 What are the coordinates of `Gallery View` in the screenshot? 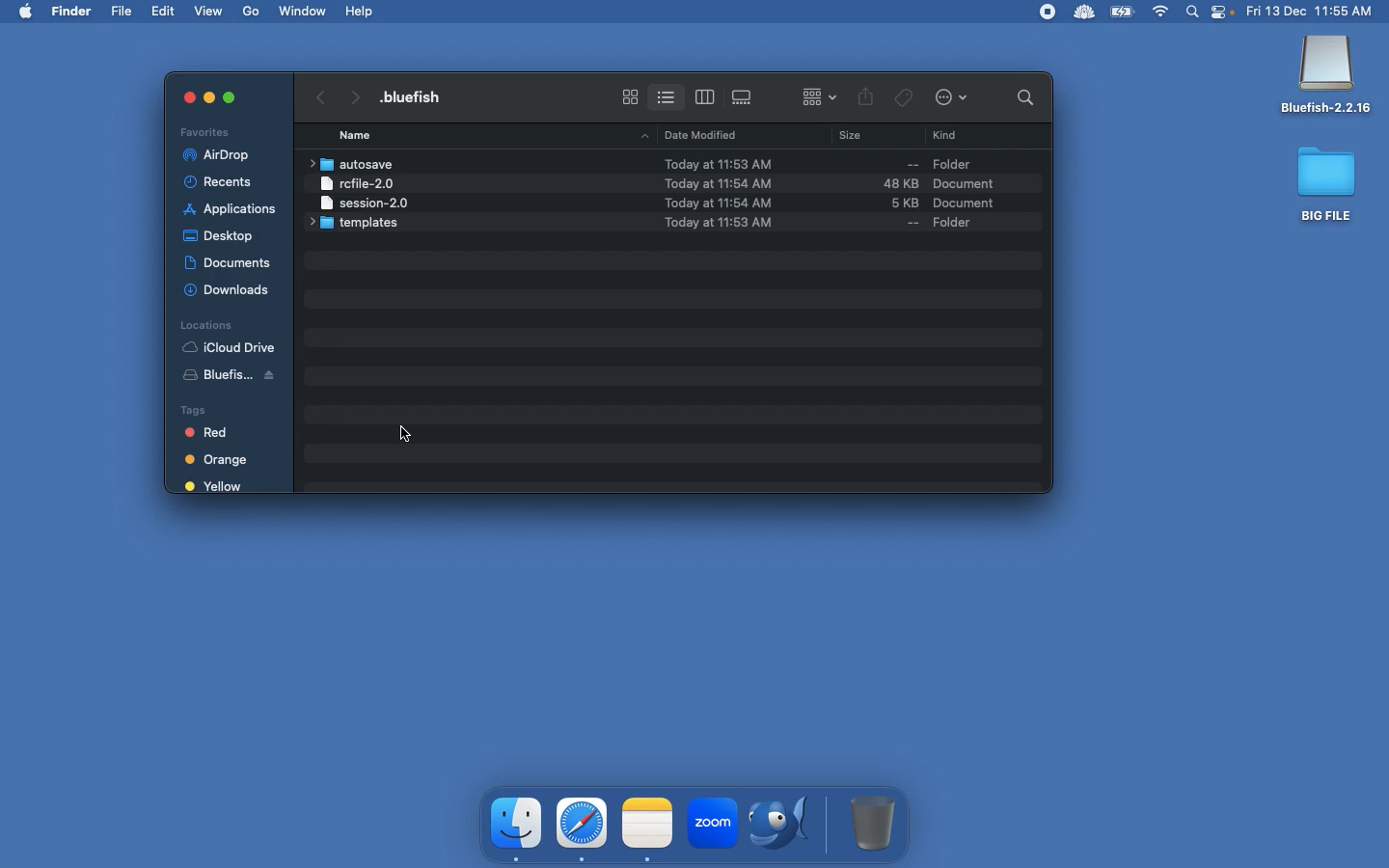 It's located at (744, 94).